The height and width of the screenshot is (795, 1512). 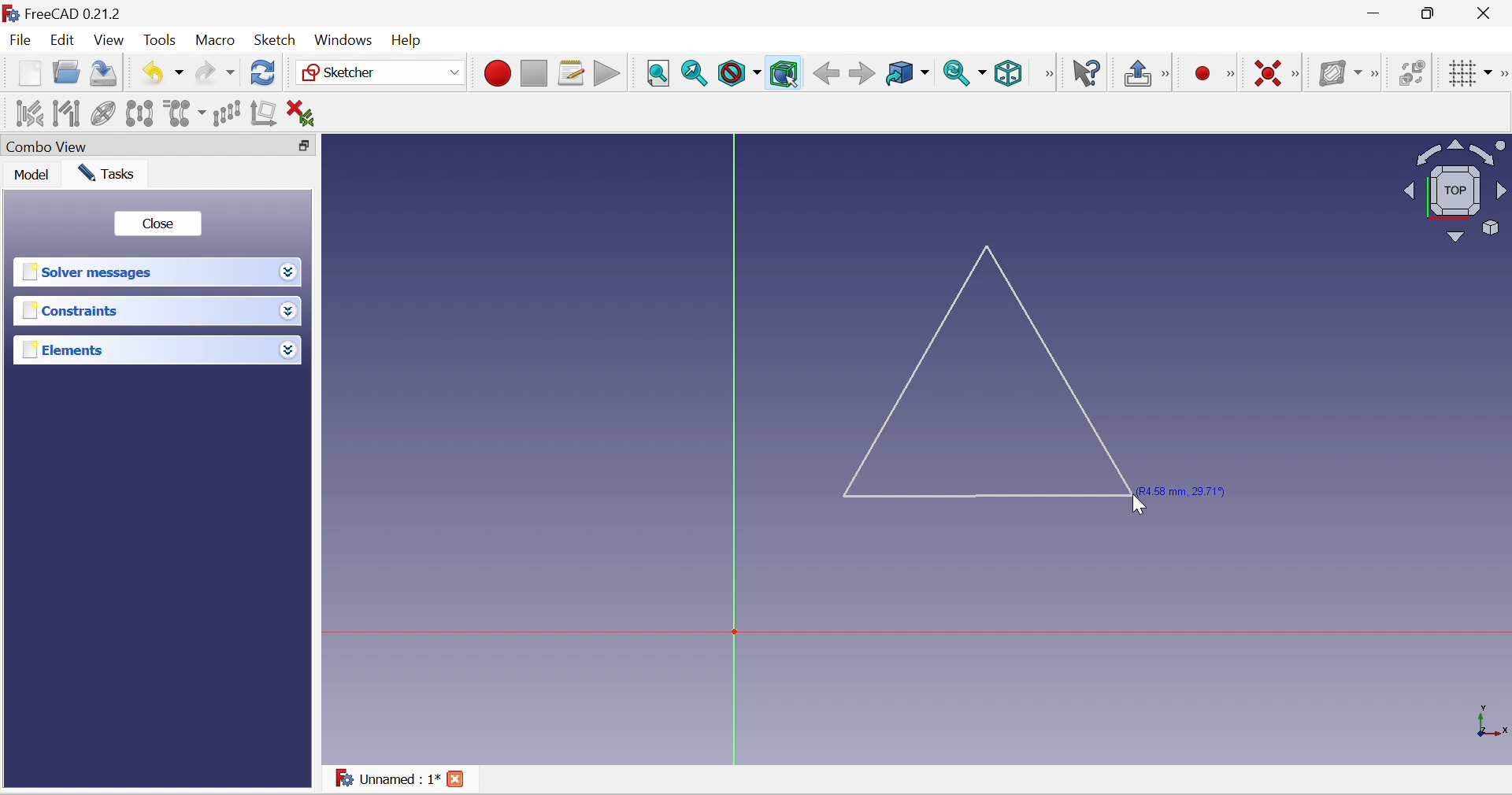 I want to click on Execute macro, so click(x=605, y=72).